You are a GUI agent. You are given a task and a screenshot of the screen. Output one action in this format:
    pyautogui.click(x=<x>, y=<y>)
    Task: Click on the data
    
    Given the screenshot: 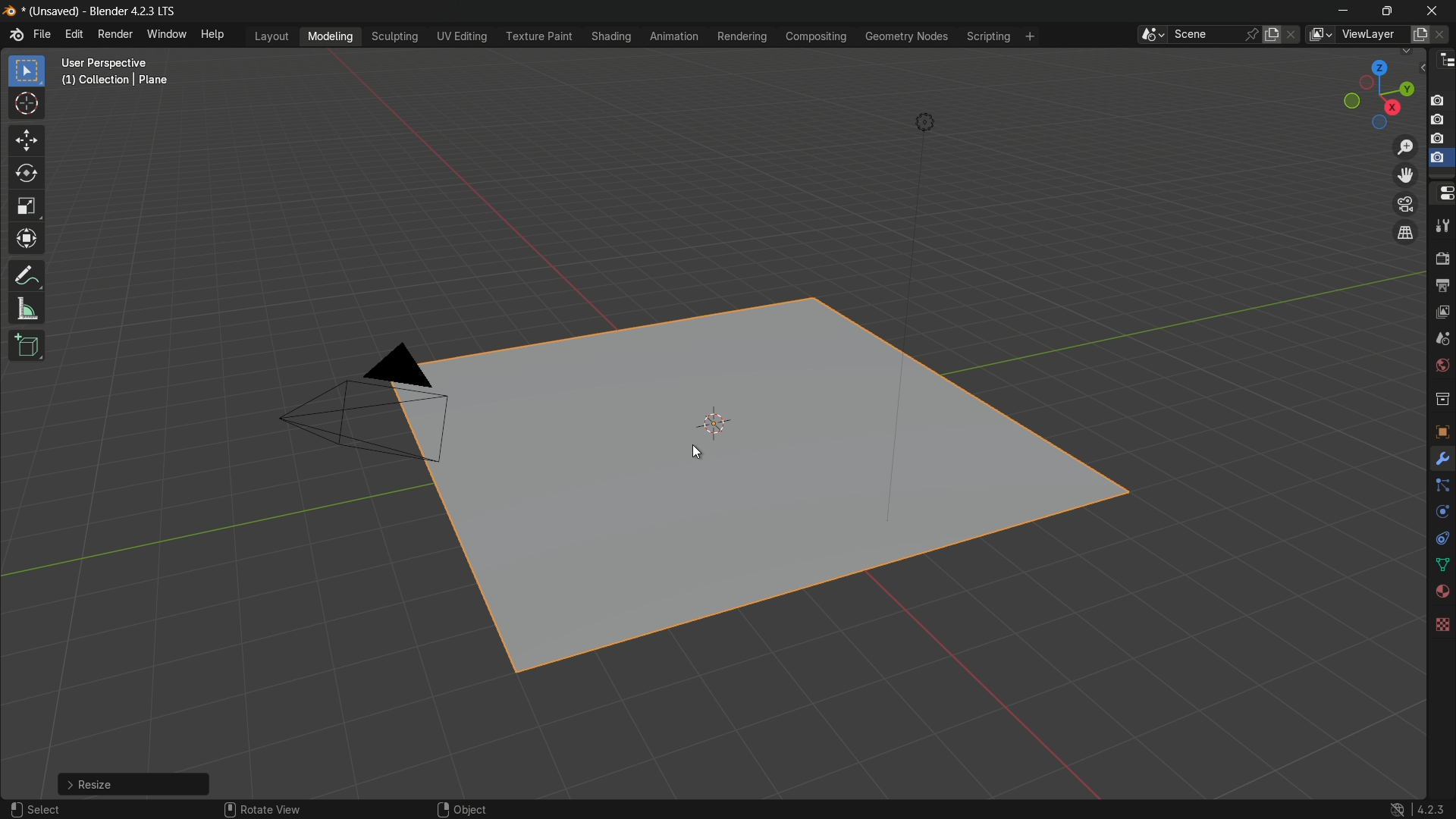 What is the action you would take?
    pyautogui.click(x=1441, y=565)
    